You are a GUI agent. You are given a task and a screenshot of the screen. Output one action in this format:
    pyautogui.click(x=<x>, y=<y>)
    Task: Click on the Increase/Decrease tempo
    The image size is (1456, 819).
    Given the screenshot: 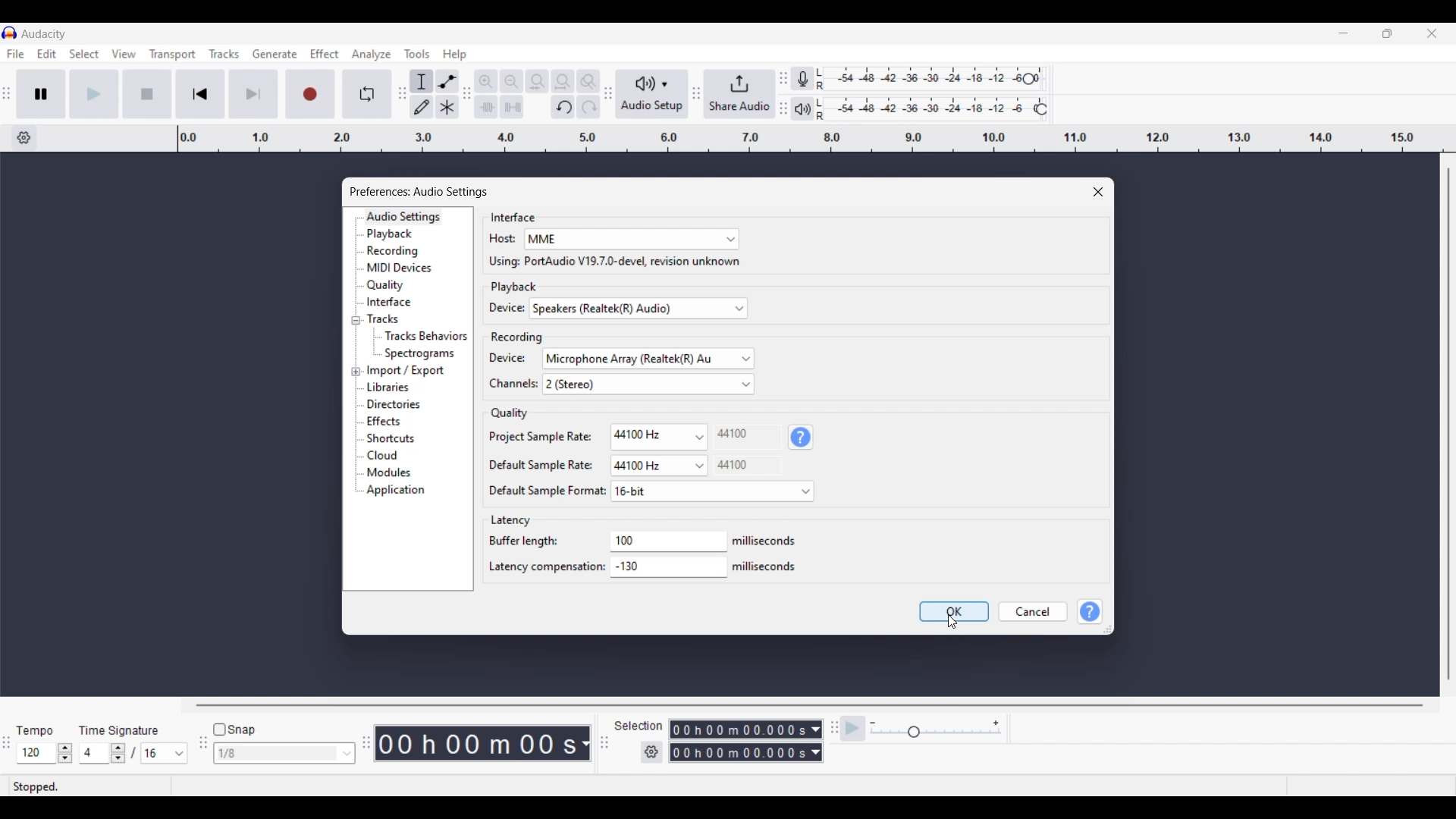 What is the action you would take?
    pyautogui.click(x=65, y=753)
    